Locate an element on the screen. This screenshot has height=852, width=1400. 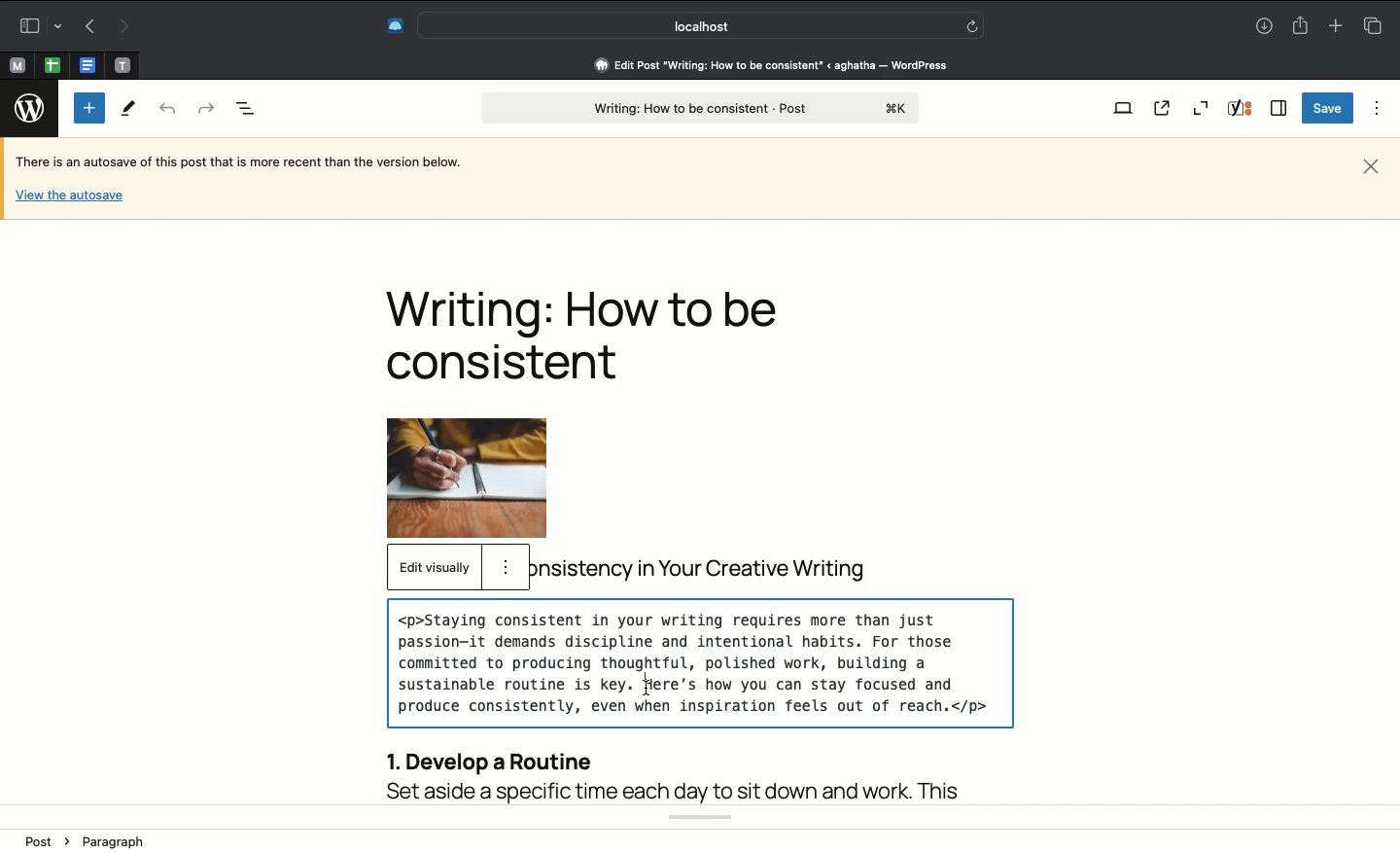
Undo is located at coordinates (168, 110).